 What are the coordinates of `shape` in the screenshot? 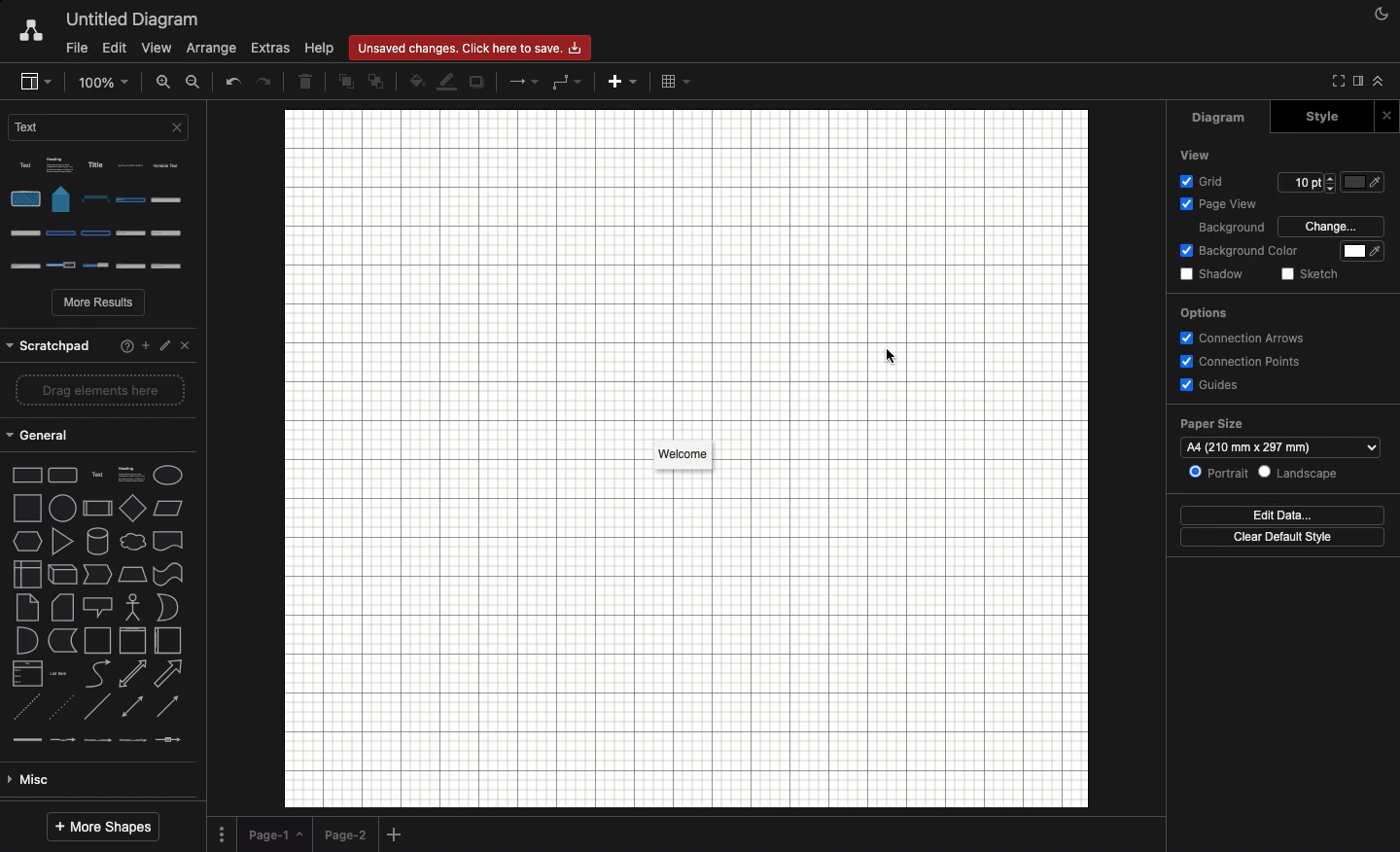 It's located at (101, 502).